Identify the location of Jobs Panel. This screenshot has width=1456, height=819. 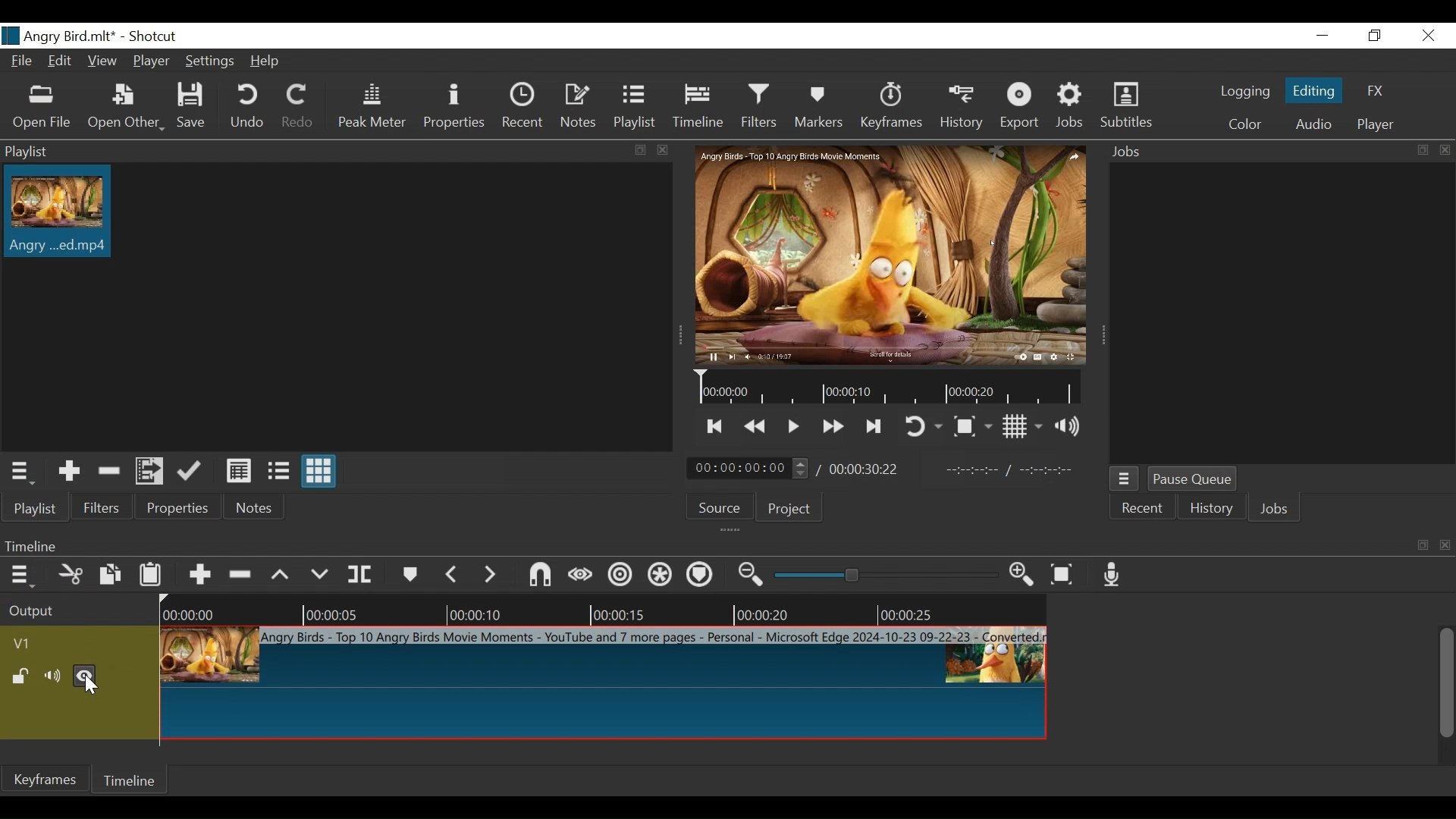
(1281, 312).